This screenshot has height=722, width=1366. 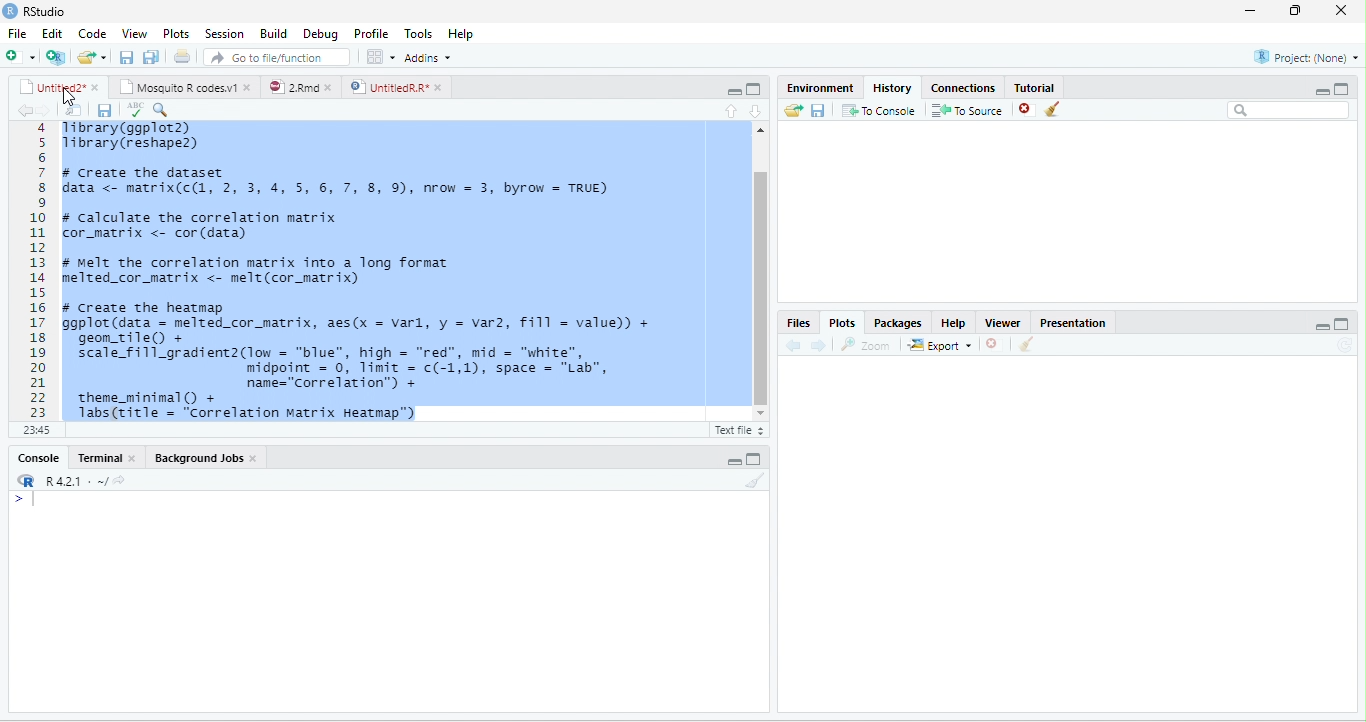 I want to click on edit, so click(x=52, y=34).